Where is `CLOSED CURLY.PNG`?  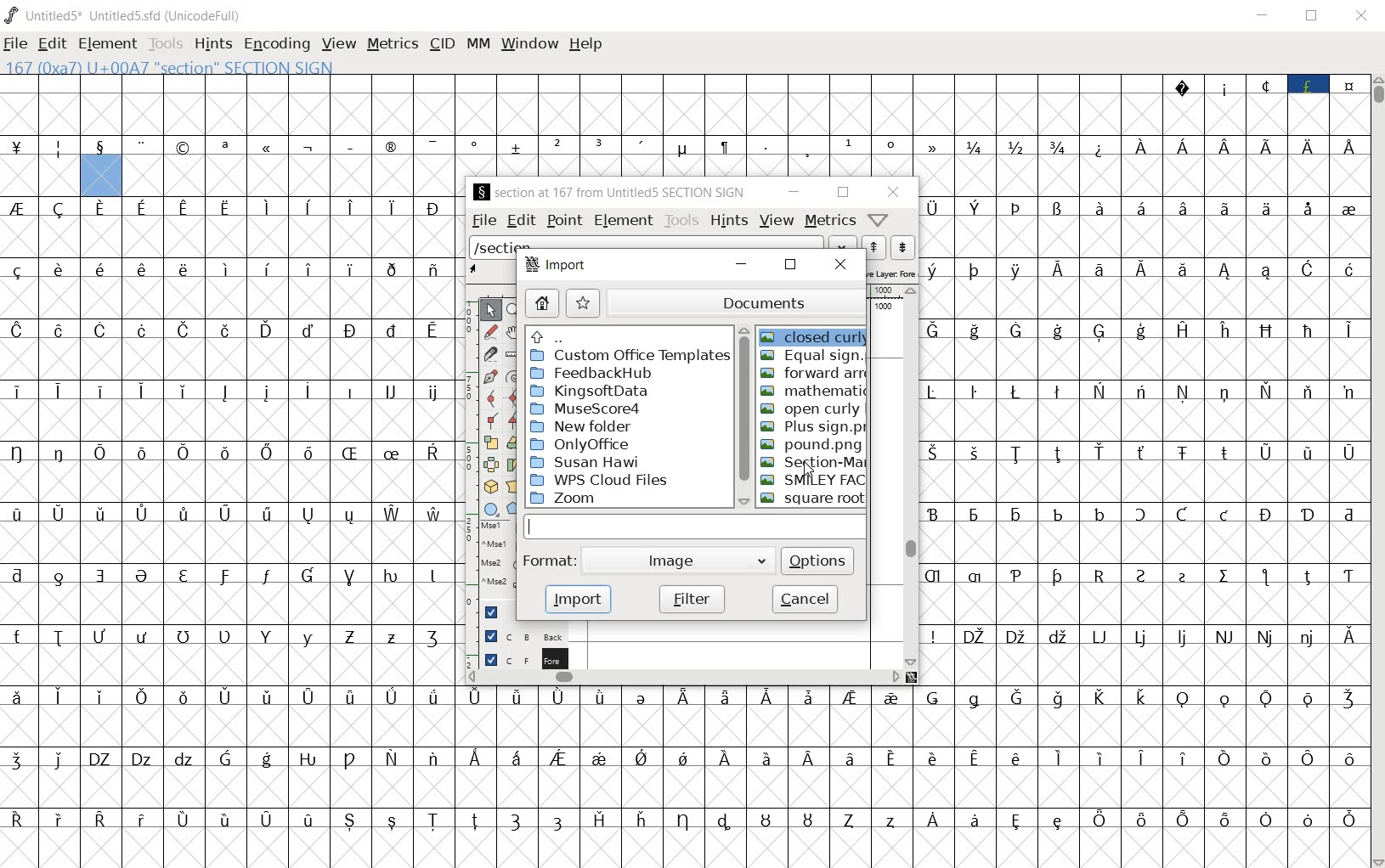 CLOSED CURLY.PNG is located at coordinates (815, 335).